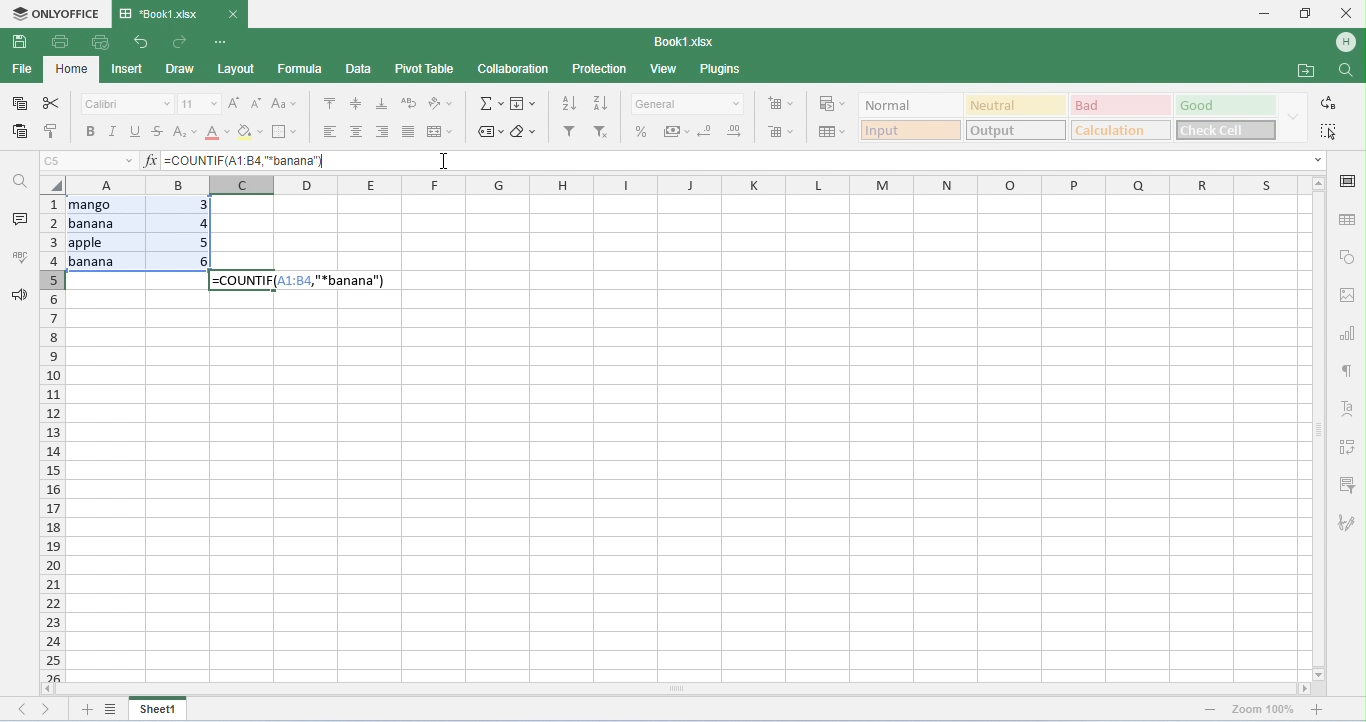 The image size is (1366, 722). What do you see at coordinates (111, 708) in the screenshot?
I see `list of sheets` at bounding box center [111, 708].